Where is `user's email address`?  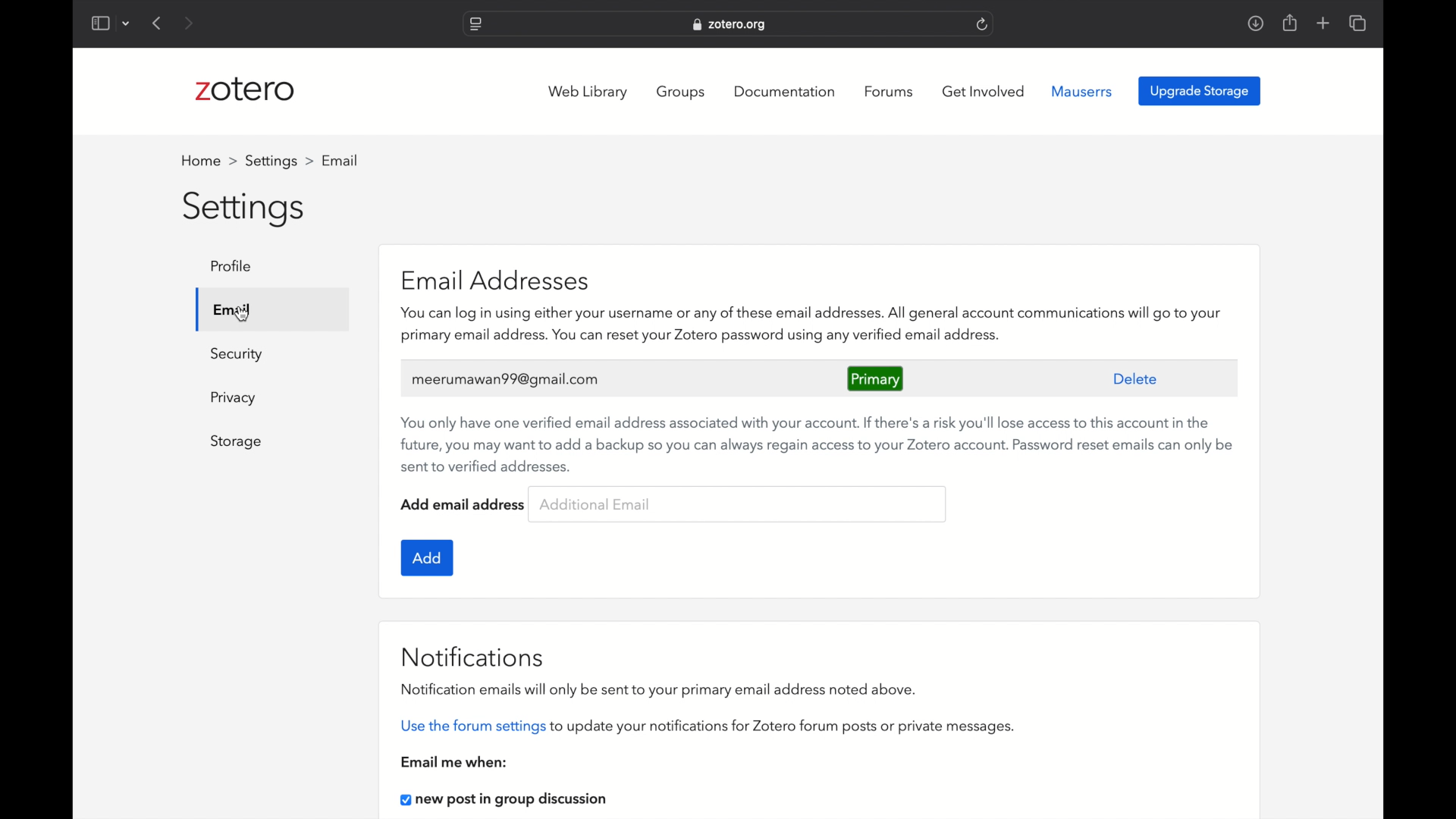 user's email address is located at coordinates (508, 381).